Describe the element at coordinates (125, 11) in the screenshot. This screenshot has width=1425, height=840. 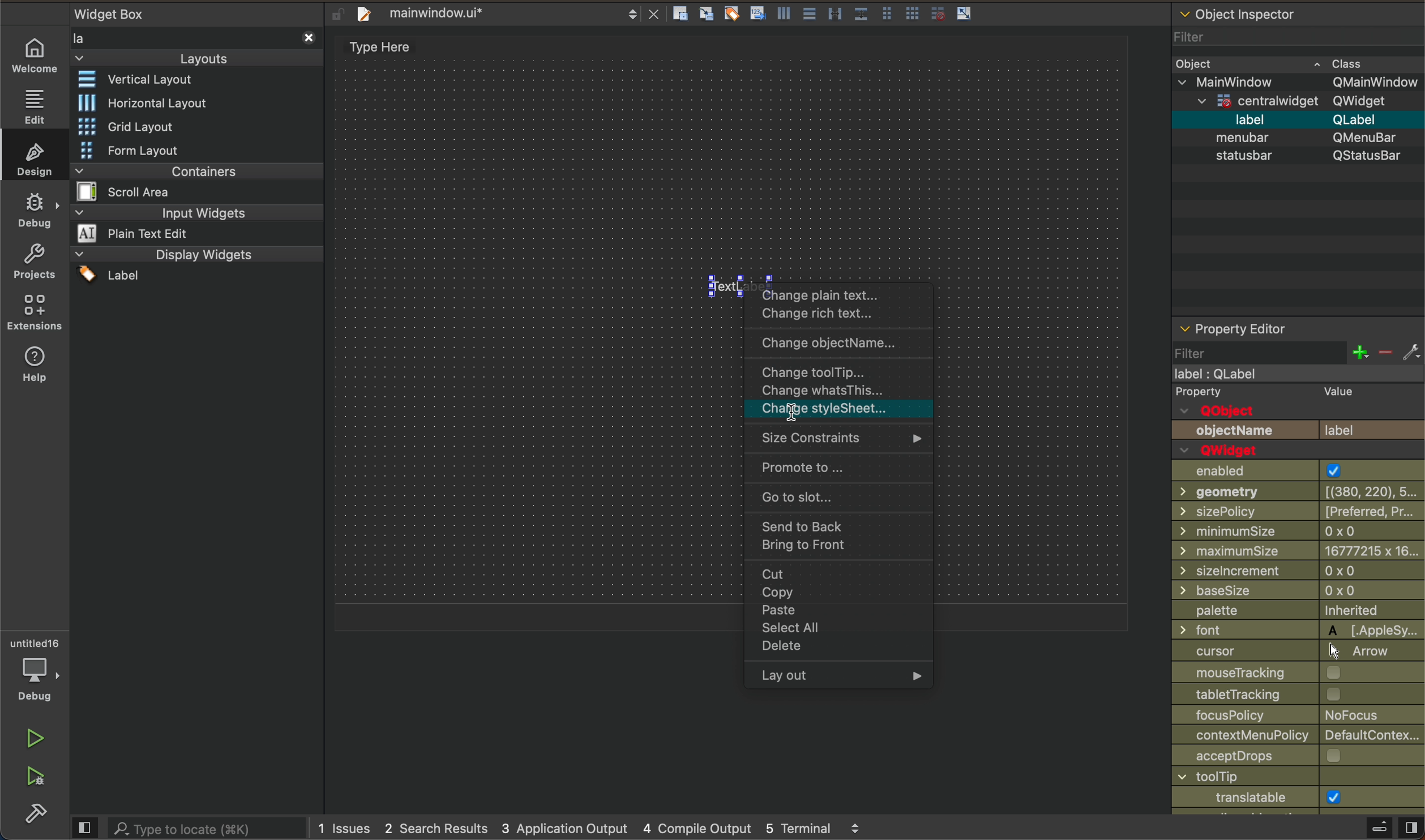
I see `widget box` at that location.